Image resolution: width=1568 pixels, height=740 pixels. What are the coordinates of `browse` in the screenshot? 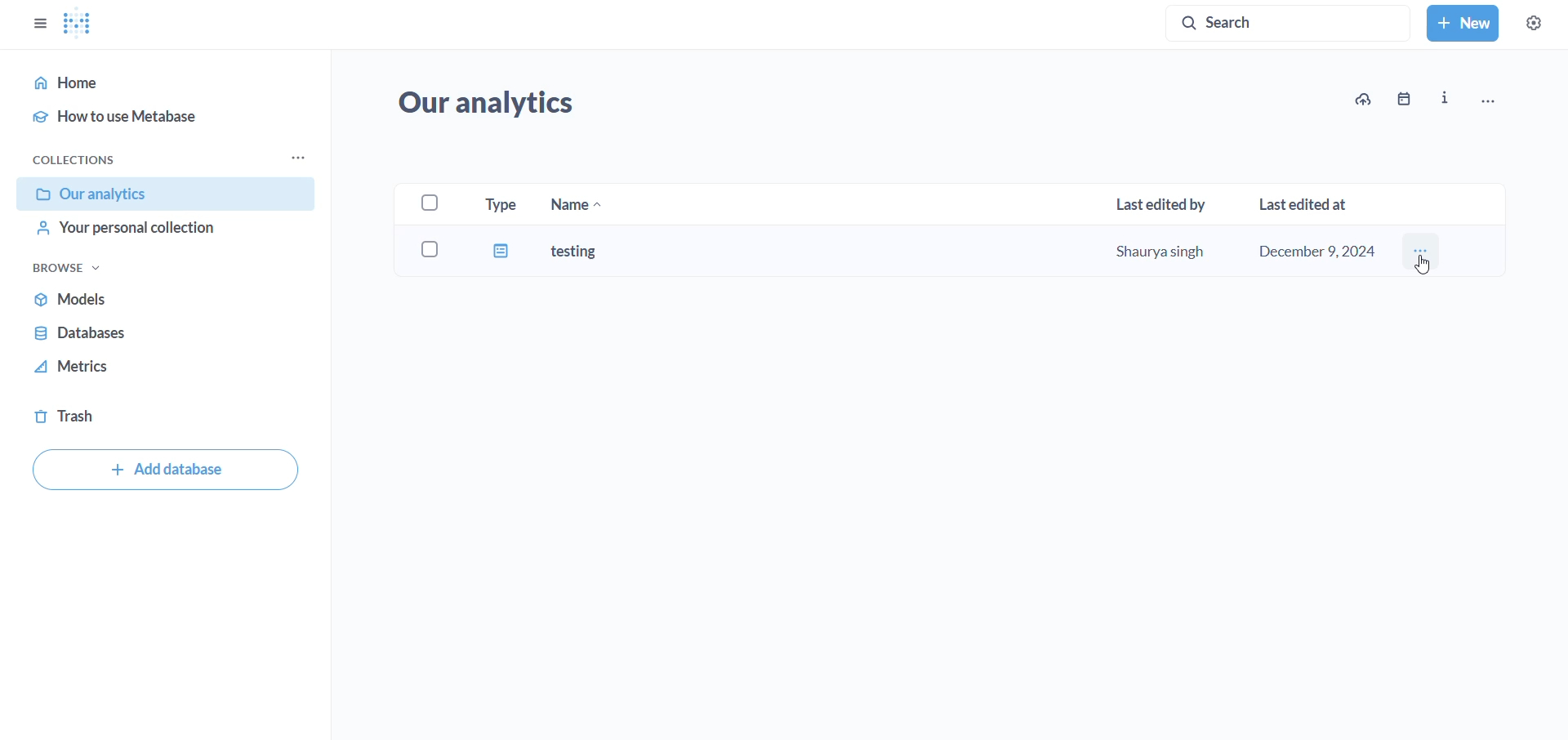 It's located at (71, 269).